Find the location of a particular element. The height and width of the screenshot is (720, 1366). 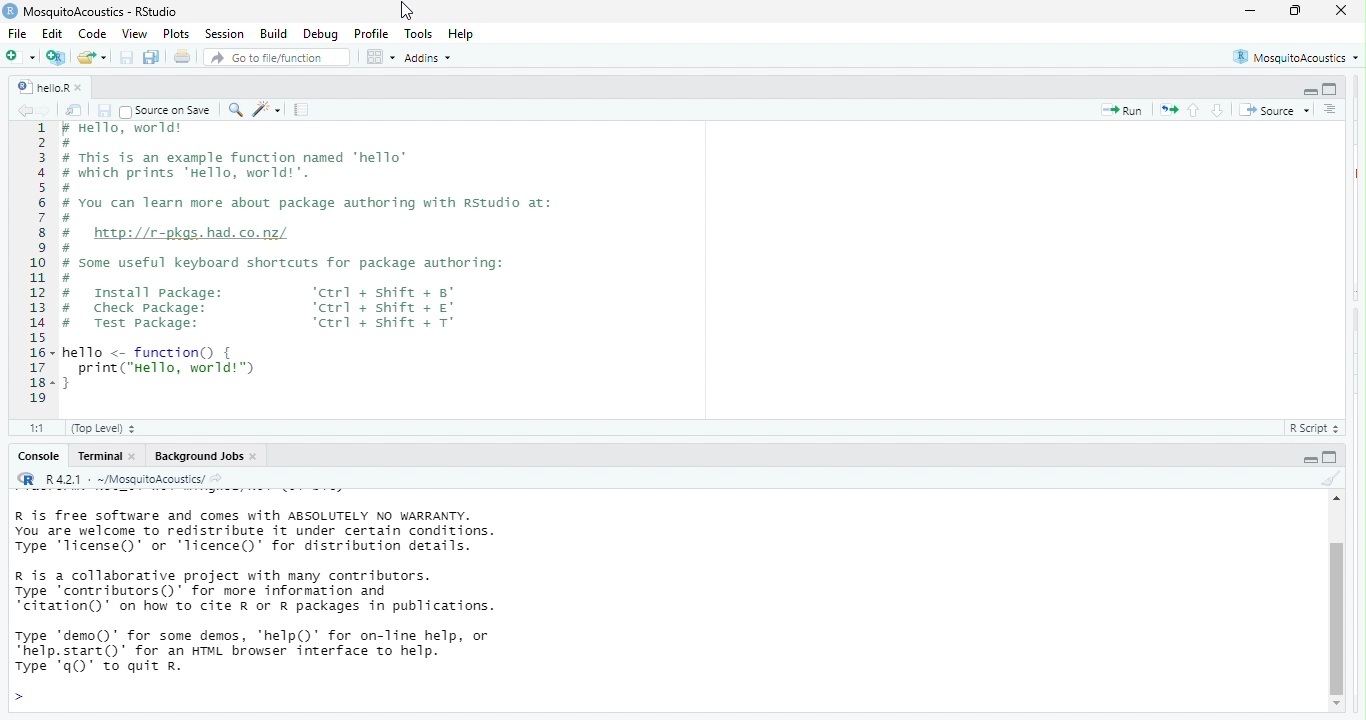

save current document is located at coordinates (105, 110).